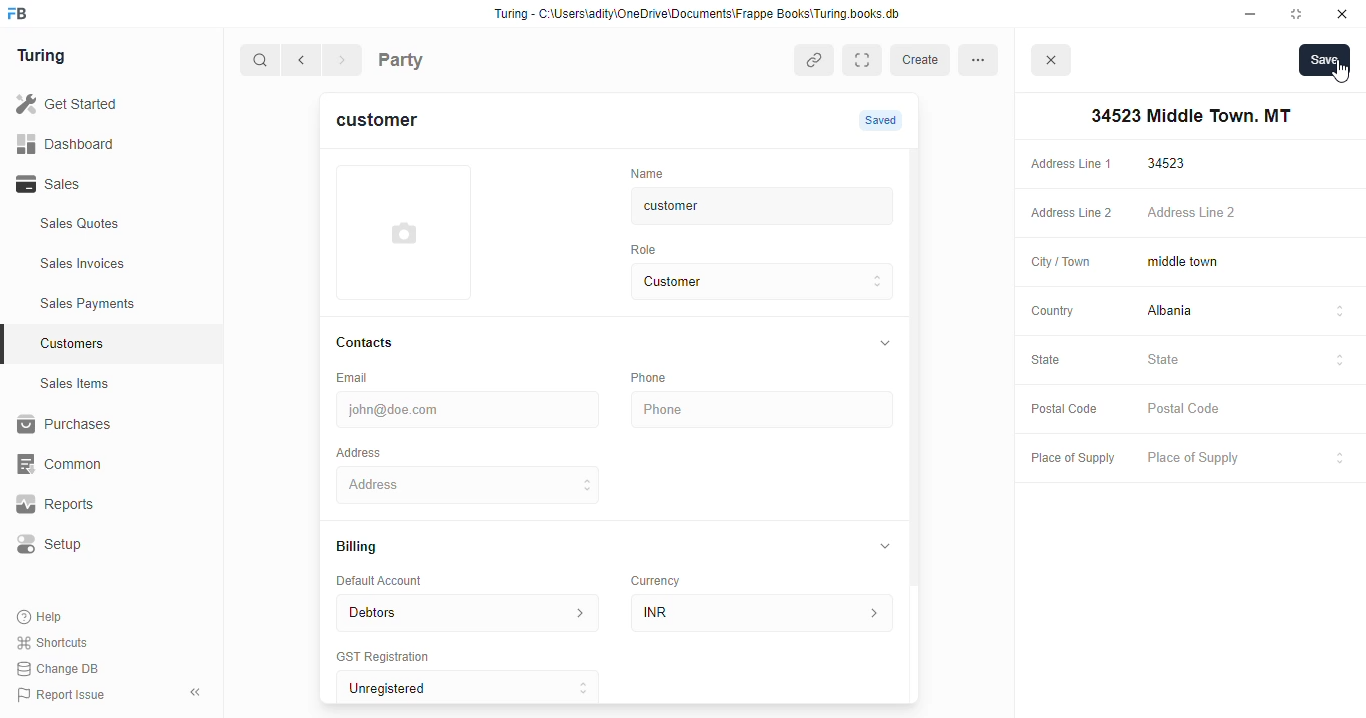 Image resolution: width=1366 pixels, height=718 pixels. What do you see at coordinates (65, 693) in the screenshot?
I see `Report Issue` at bounding box center [65, 693].